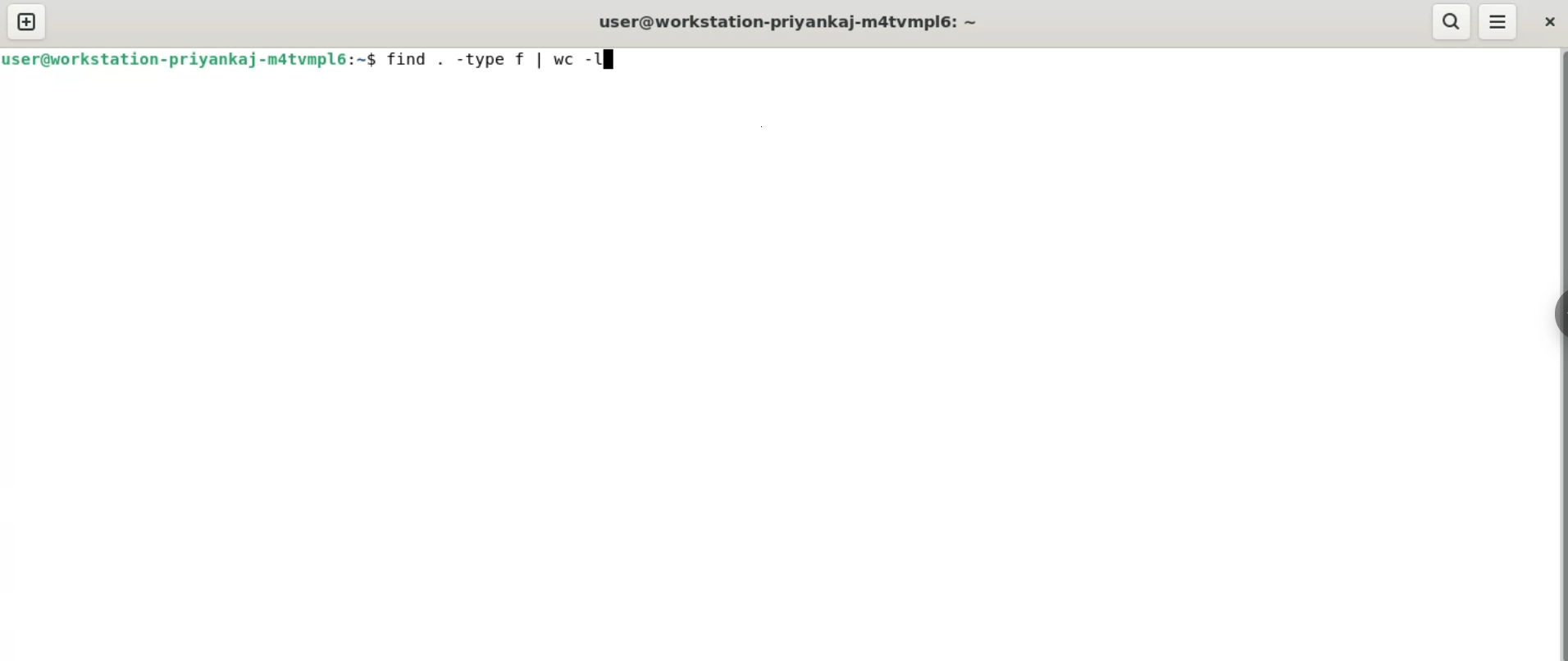 The image size is (1568, 661). Describe the element at coordinates (491, 58) in the screenshot. I see `find . -type f | wc -l` at that location.